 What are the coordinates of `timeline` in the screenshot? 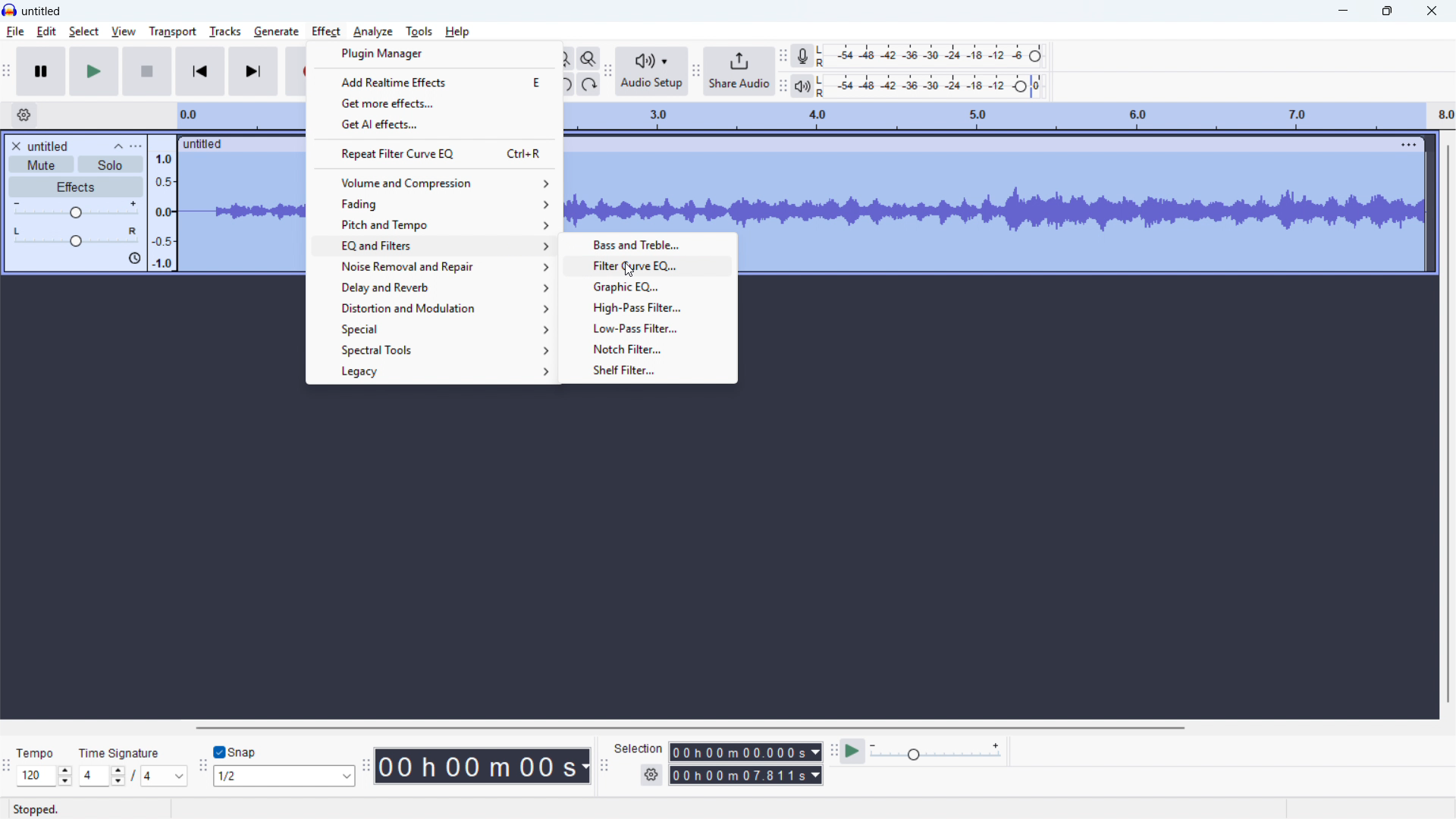 It's located at (1007, 116).